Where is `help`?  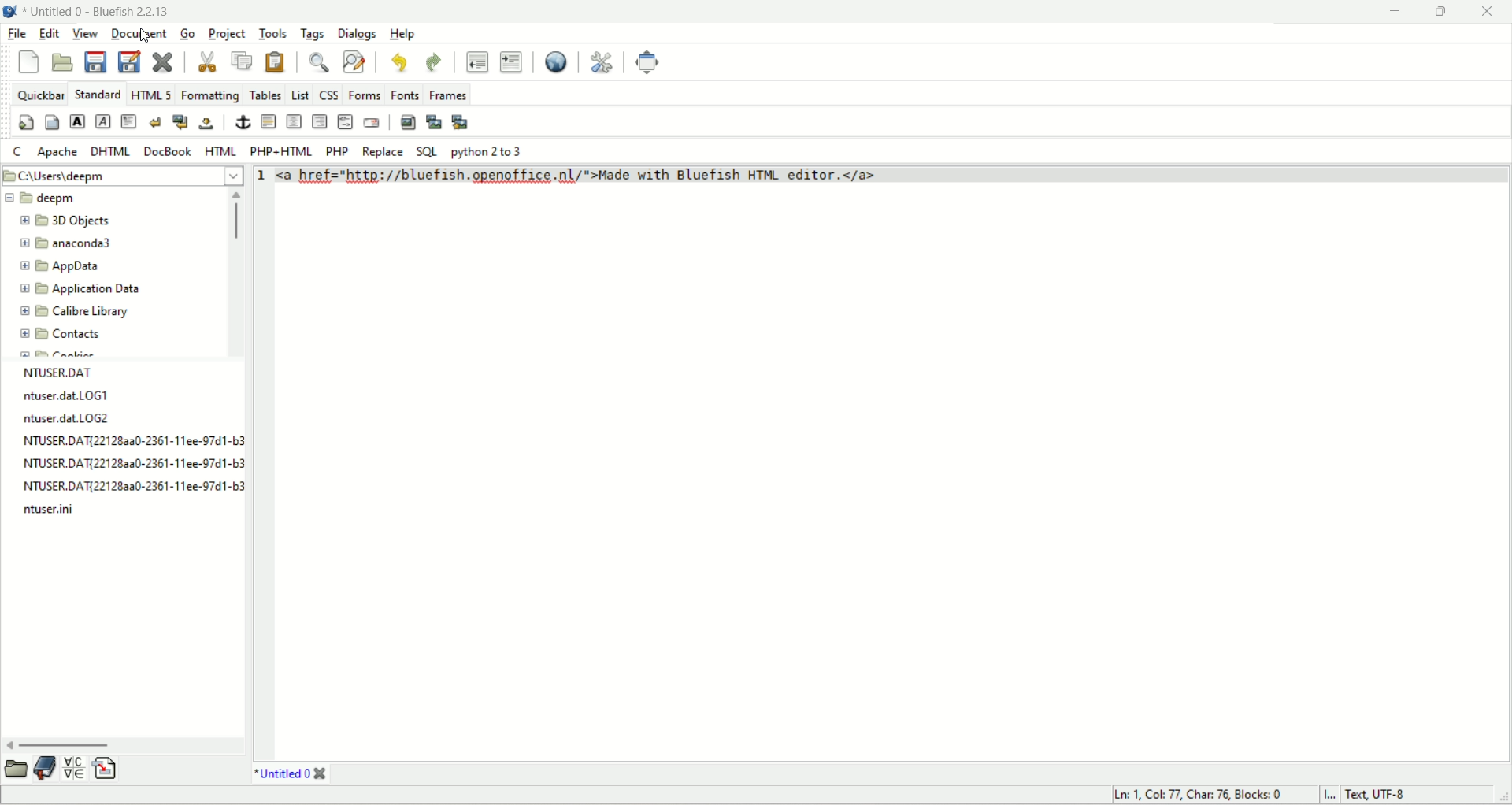
help is located at coordinates (406, 35).